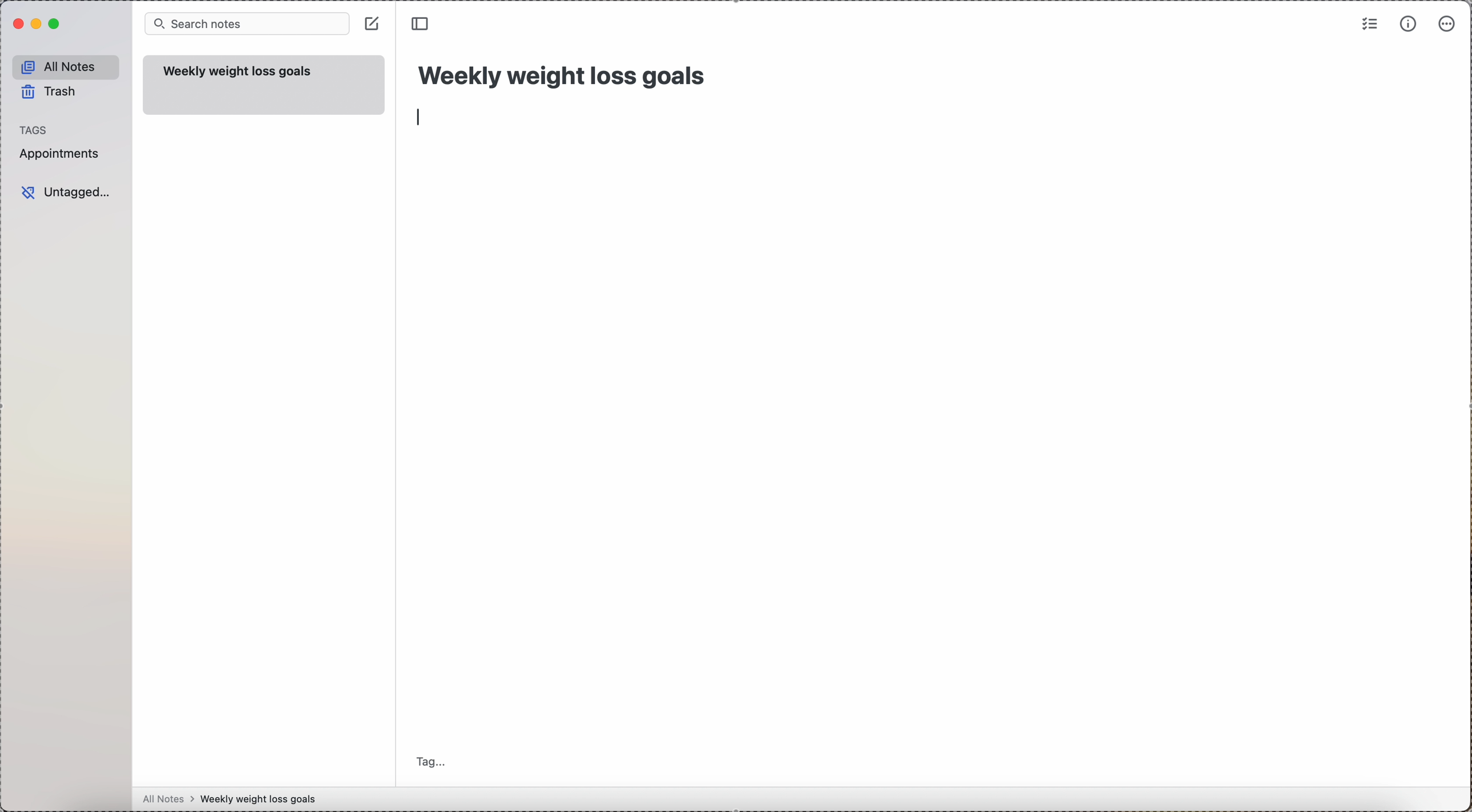  What do you see at coordinates (234, 799) in the screenshot?
I see `all notes > weekly weight loss goals` at bounding box center [234, 799].